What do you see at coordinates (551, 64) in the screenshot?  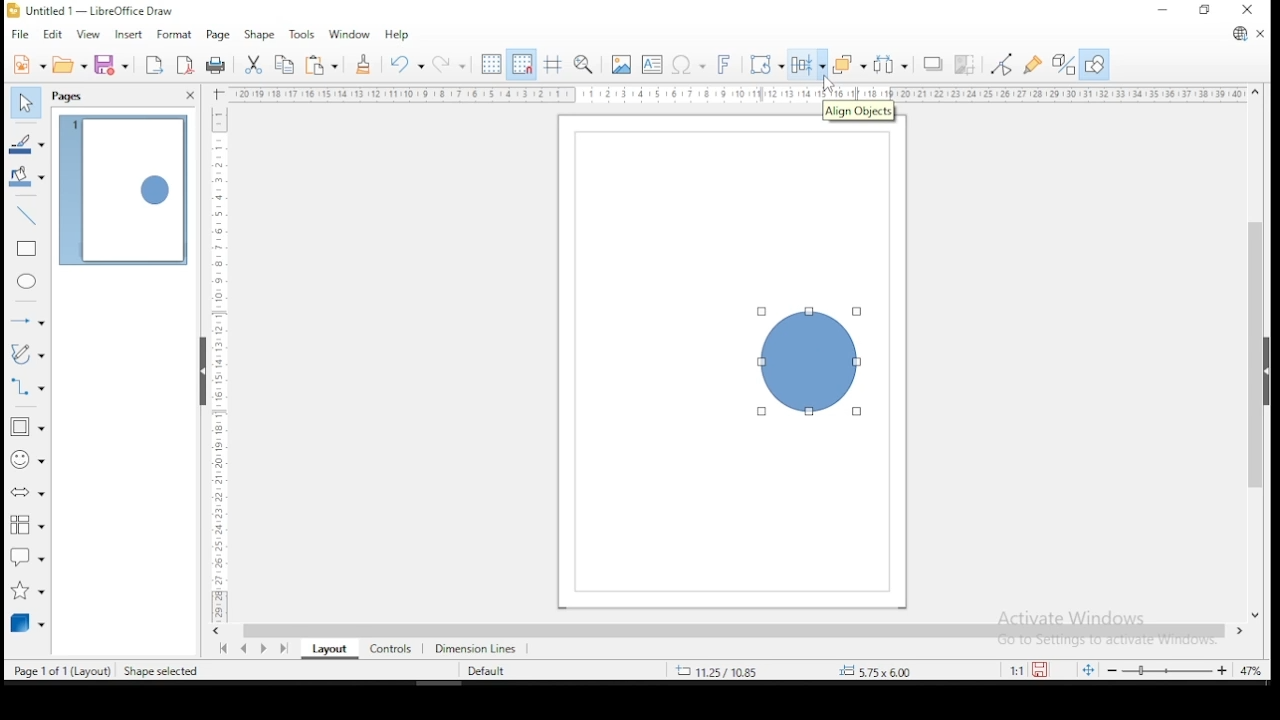 I see `helplines when moving` at bounding box center [551, 64].